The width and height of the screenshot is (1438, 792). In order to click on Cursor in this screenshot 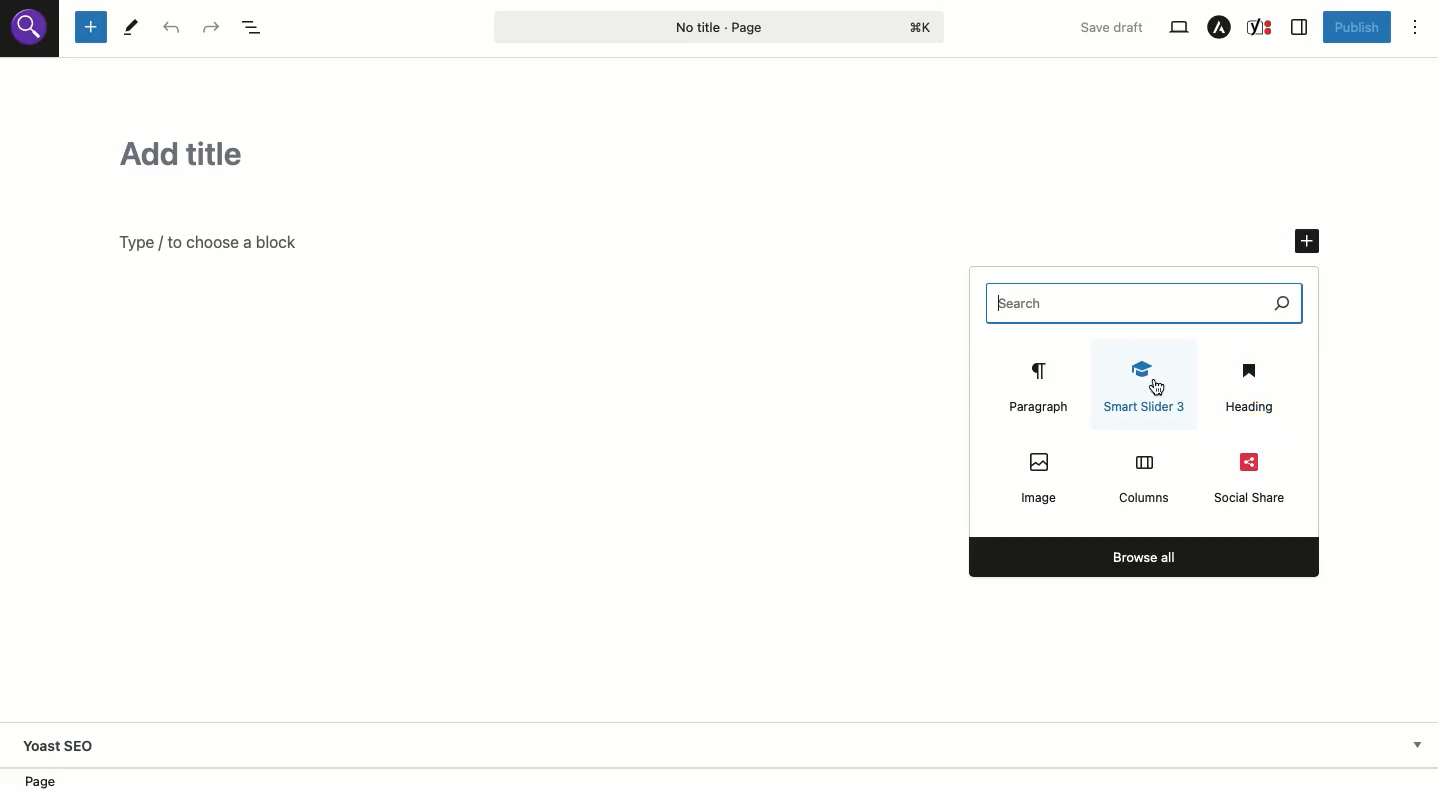, I will do `click(1159, 387)`.